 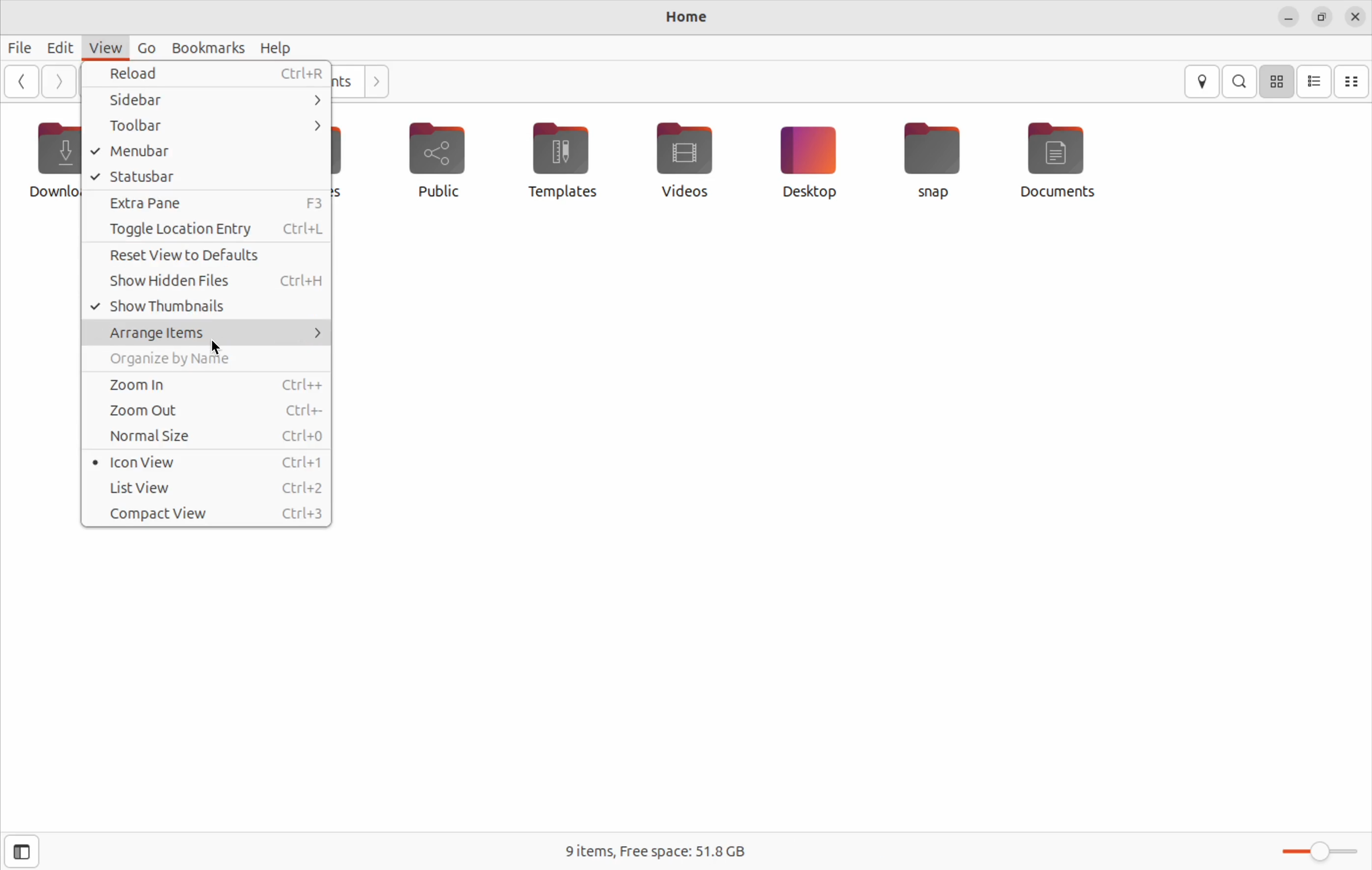 What do you see at coordinates (21, 47) in the screenshot?
I see `file` at bounding box center [21, 47].